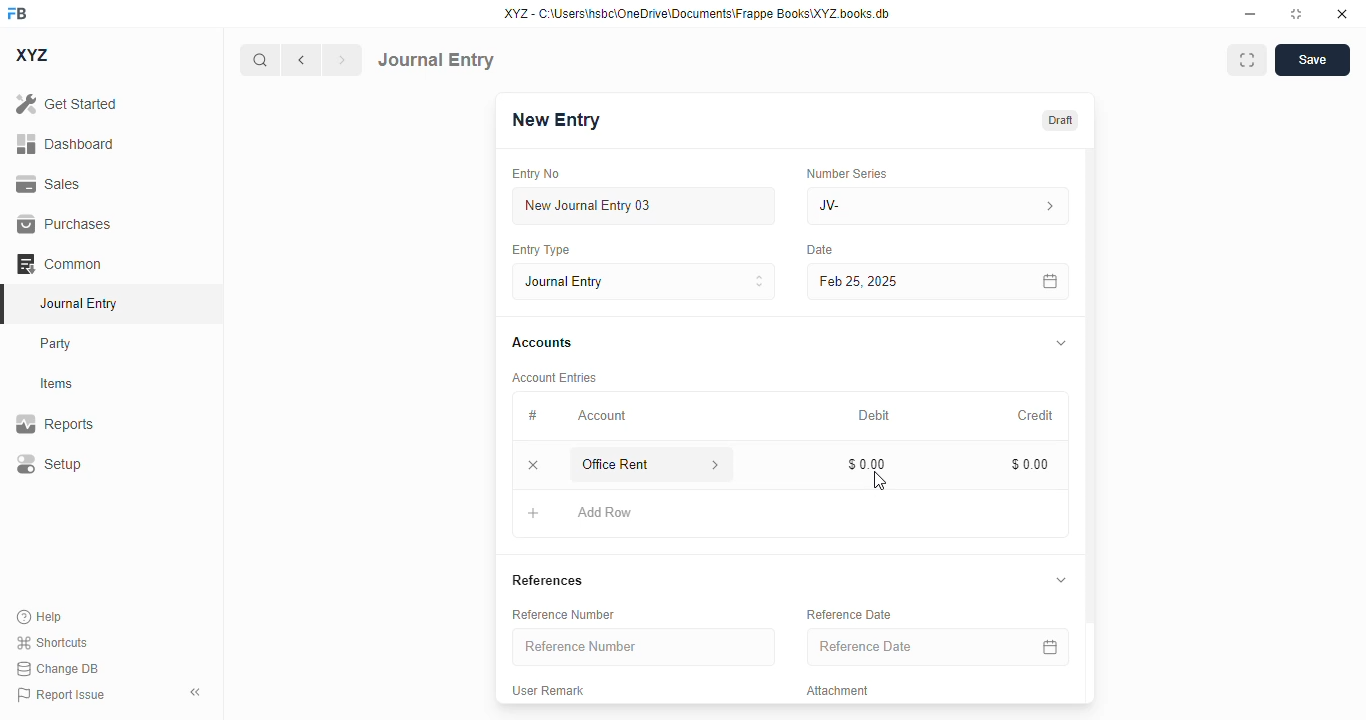 Image resolution: width=1366 pixels, height=720 pixels. What do you see at coordinates (542, 343) in the screenshot?
I see `accounts` at bounding box center [542, 343].